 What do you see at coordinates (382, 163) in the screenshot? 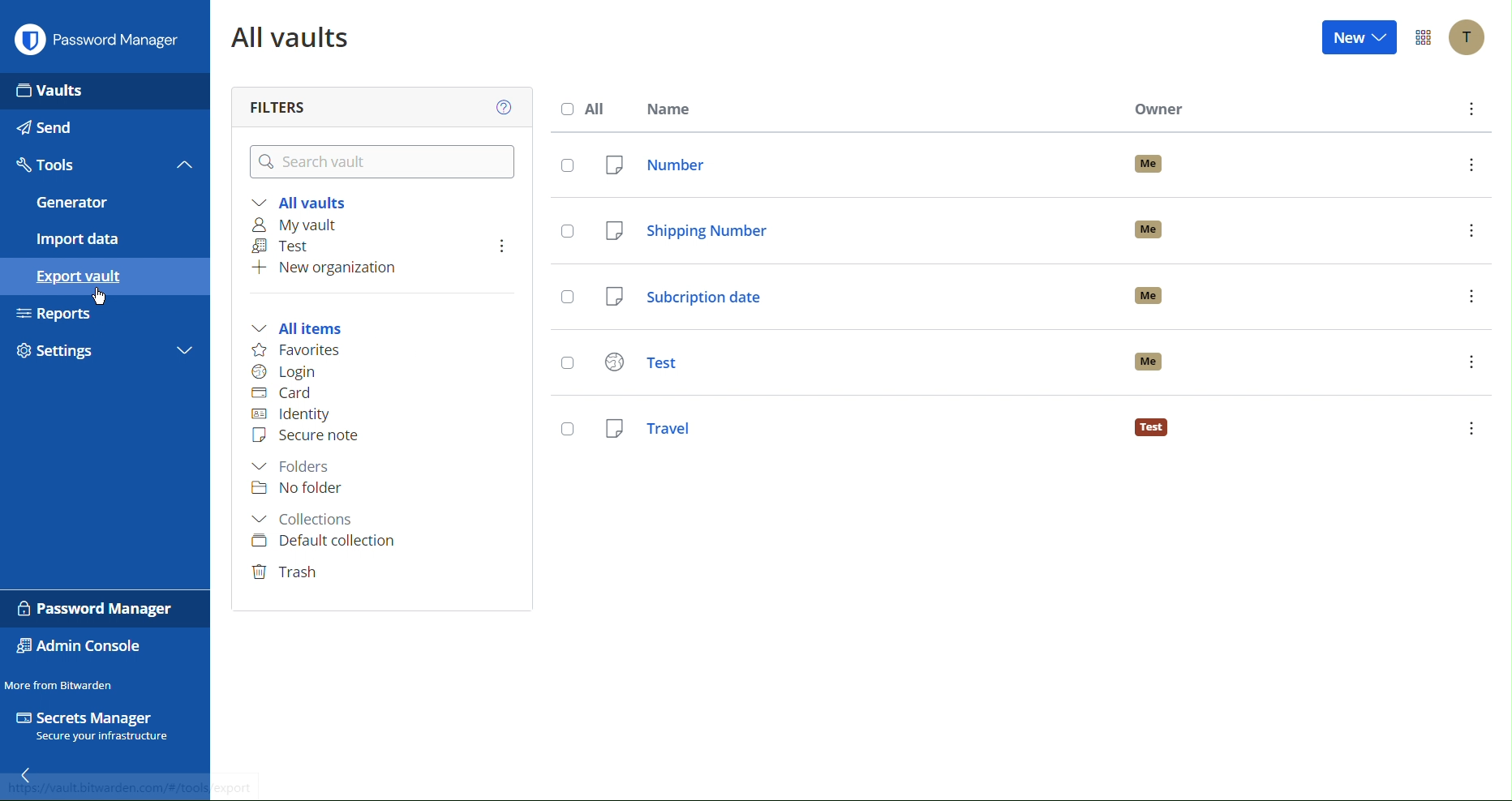
I see `Search` at bounding box center [382, 163].